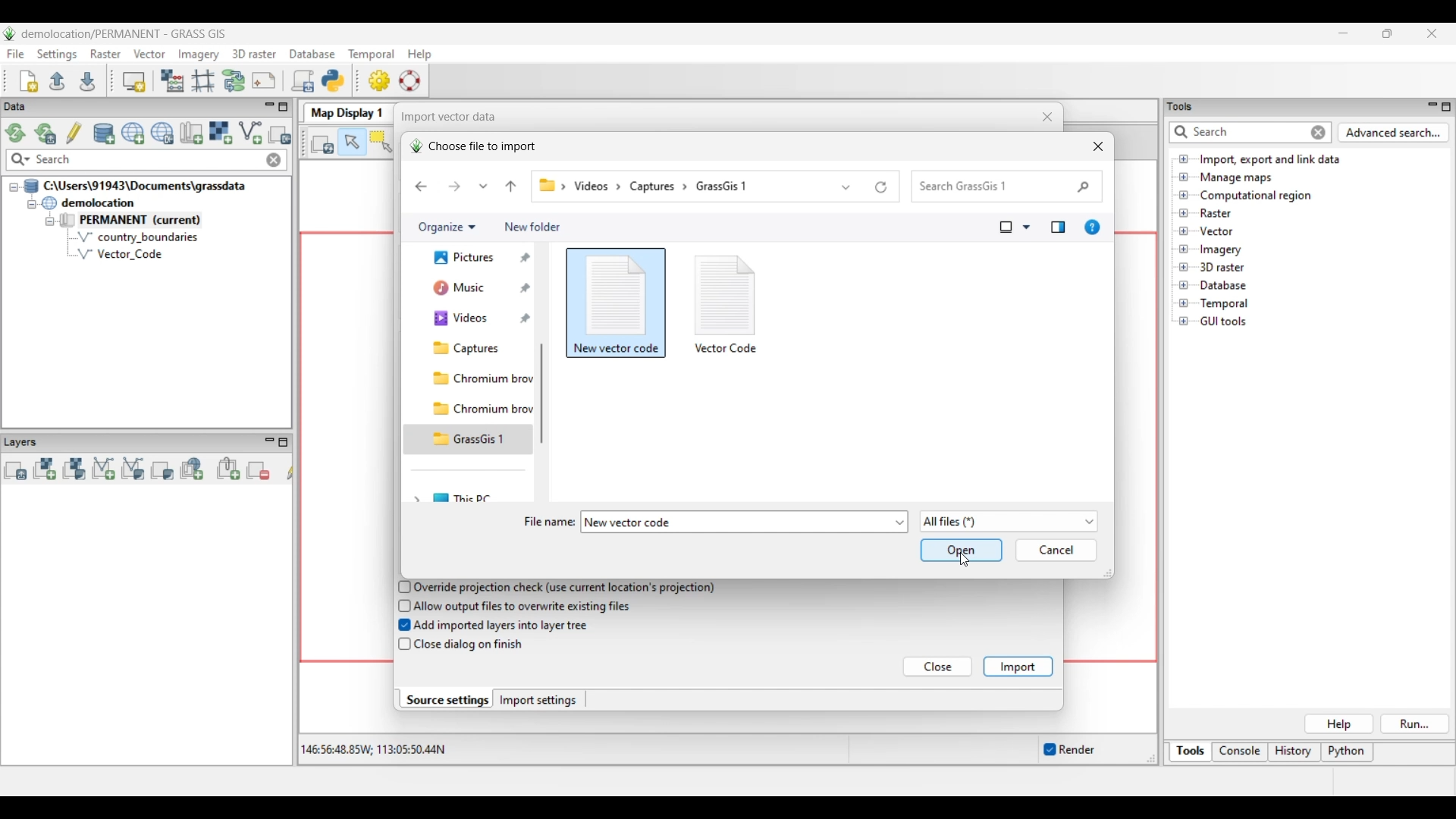 The width and height of the screenshot is (1456, 819). Describe the element at coordinates (1007, 187) in the screenshot. I see `Quick search folder` at that location.